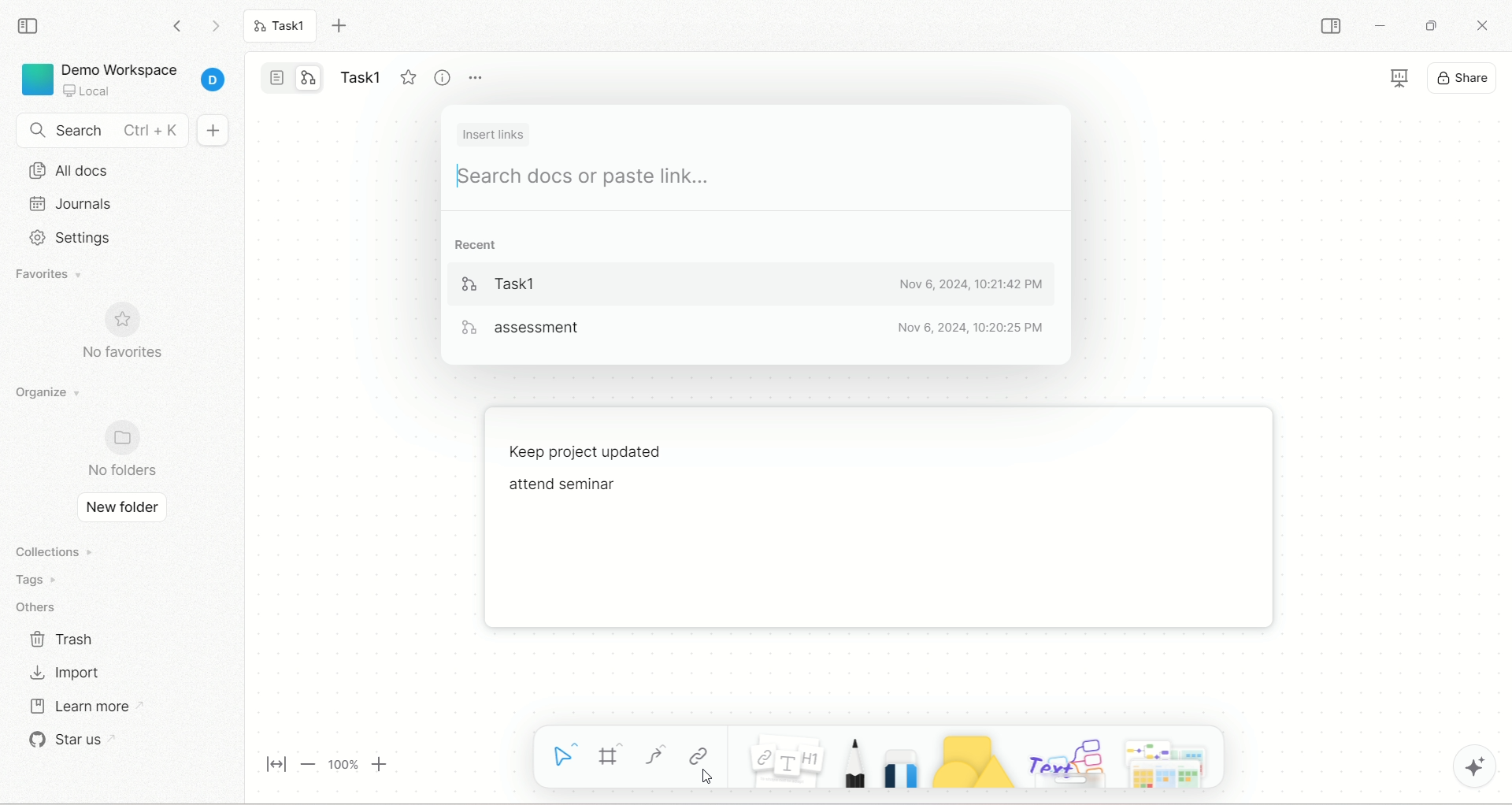 Image resolution: width=1512 pixels, height=805 pixels. What do you see at coordinates (786, 762) in the screenshot?
I see `note` at bounding box center [786, 762].